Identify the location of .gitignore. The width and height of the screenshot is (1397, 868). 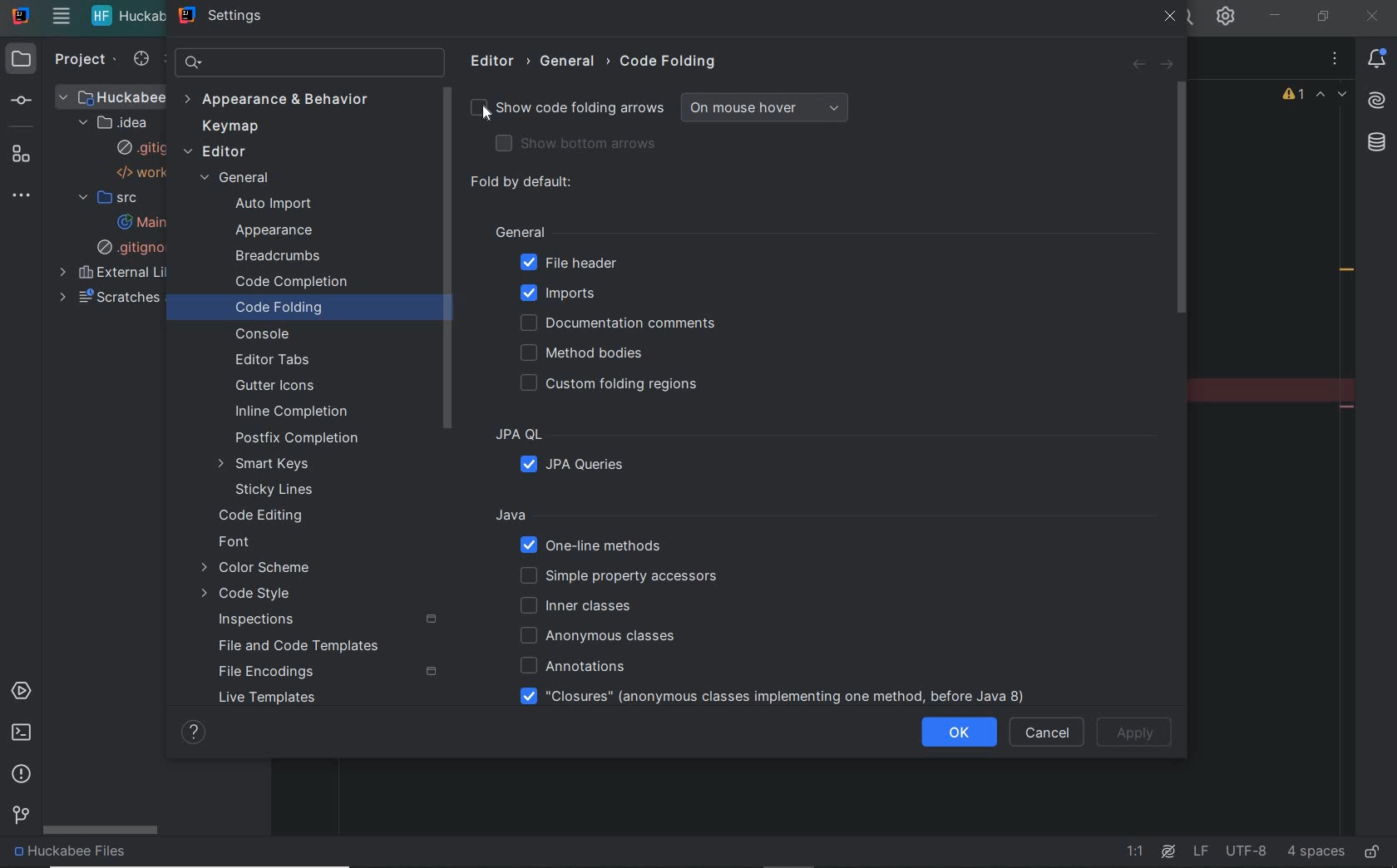
(141, 248).